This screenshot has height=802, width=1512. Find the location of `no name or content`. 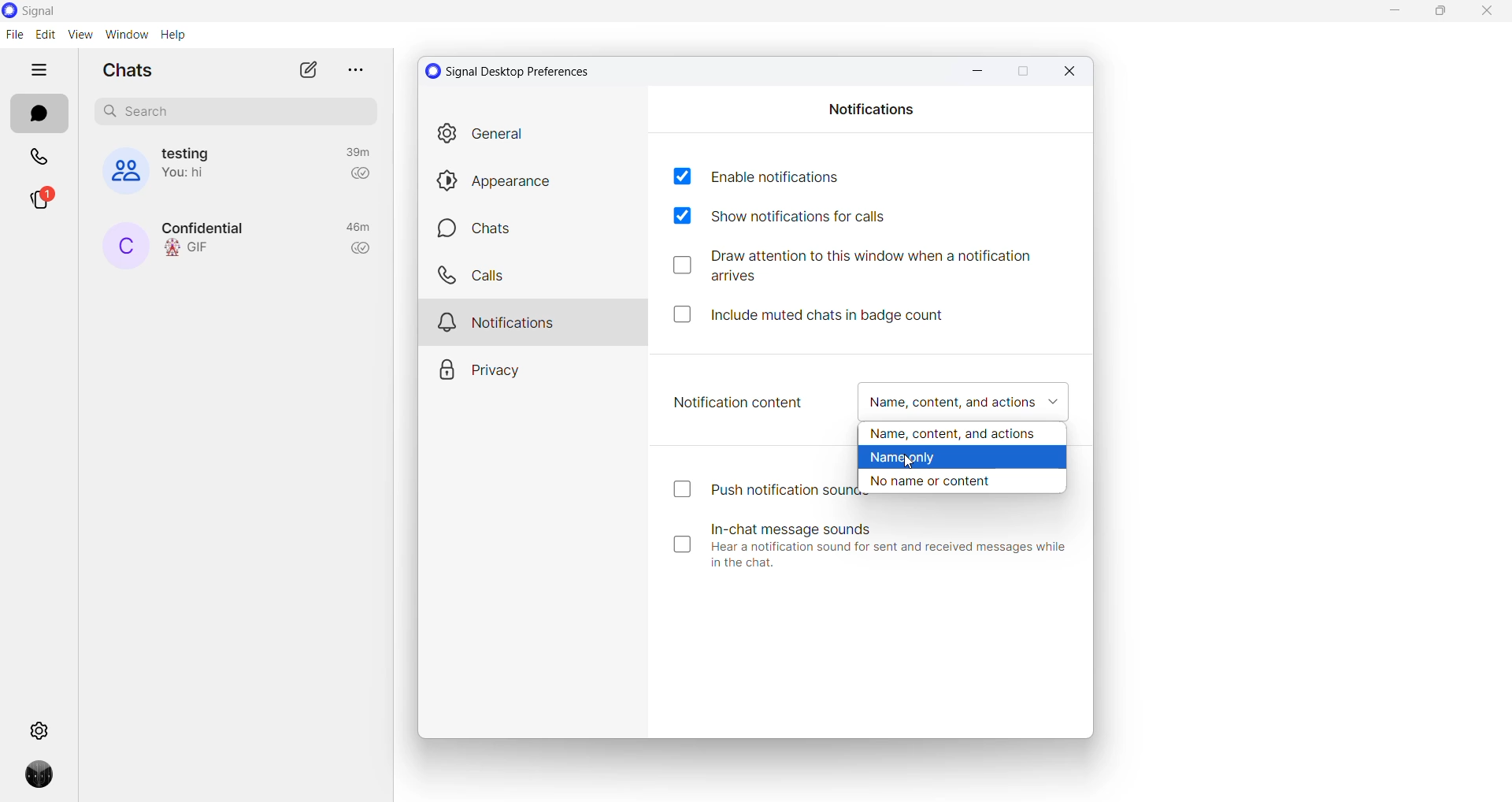

no name or content is located at coordinates (965, 484).